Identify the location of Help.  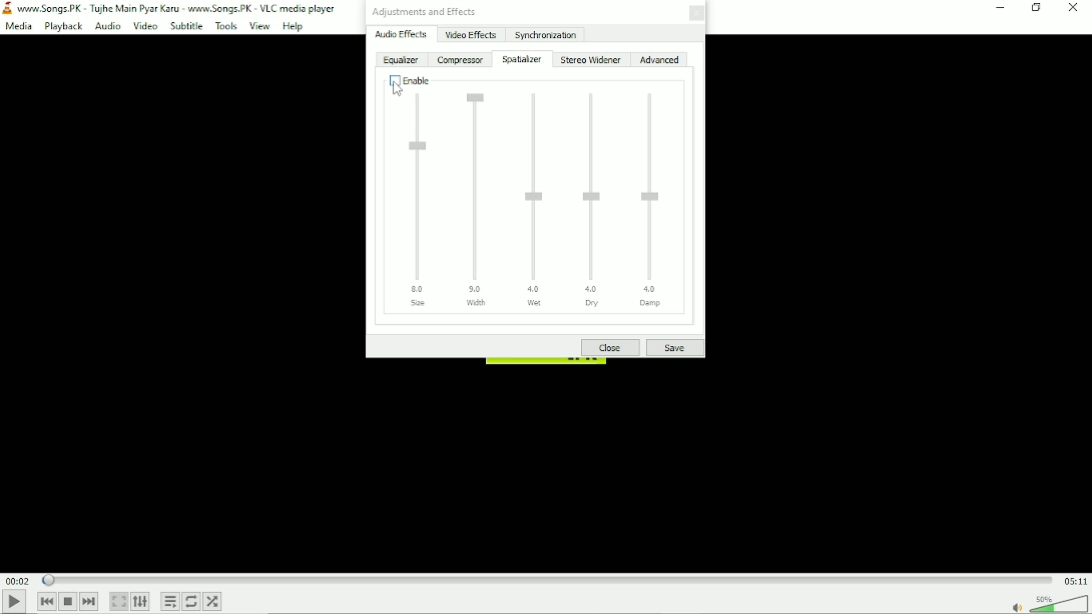
(293, 26).